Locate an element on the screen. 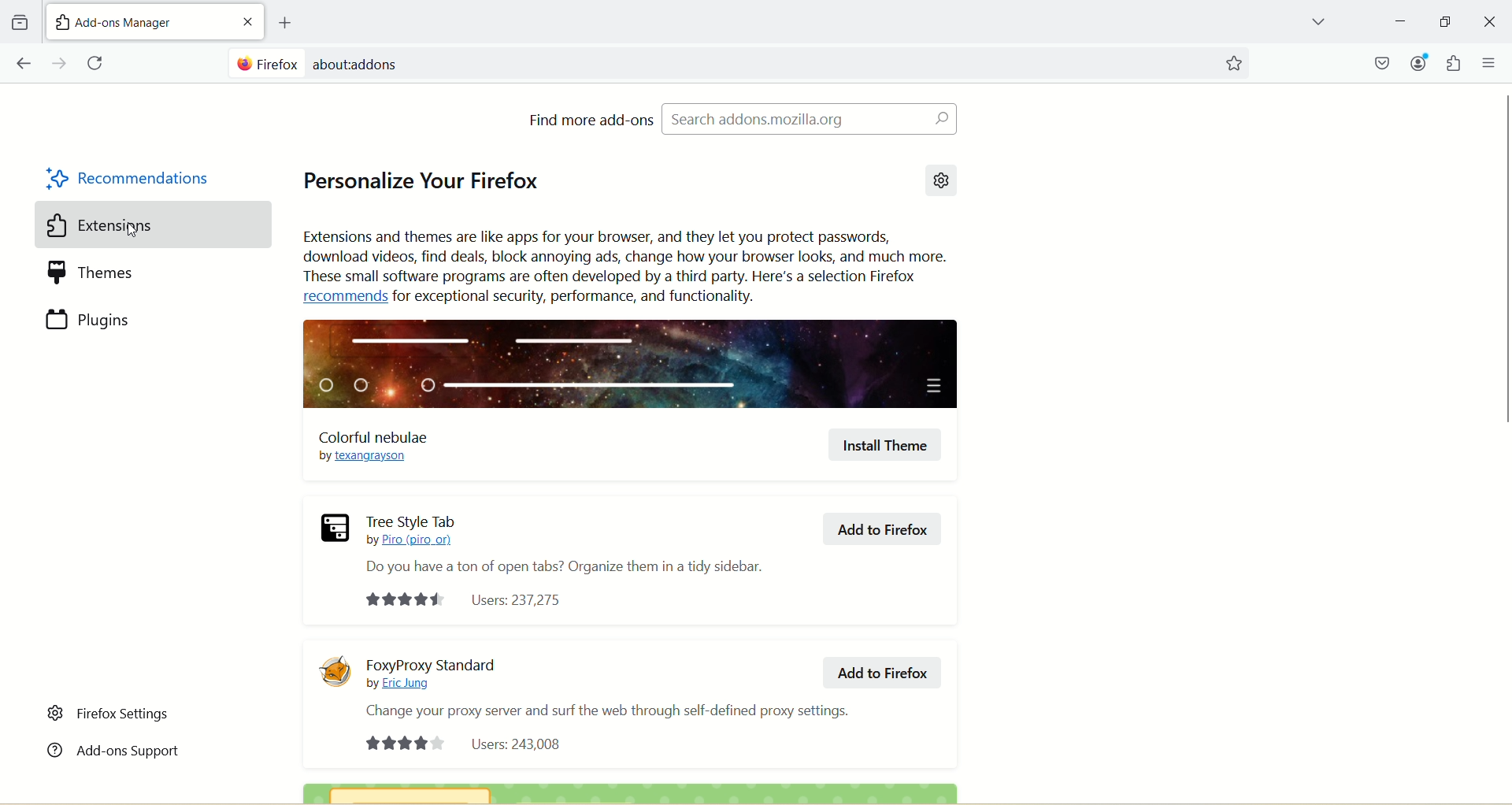 This screenshot has width=1512, height=805. Settings is located at coordinates (941, 181).